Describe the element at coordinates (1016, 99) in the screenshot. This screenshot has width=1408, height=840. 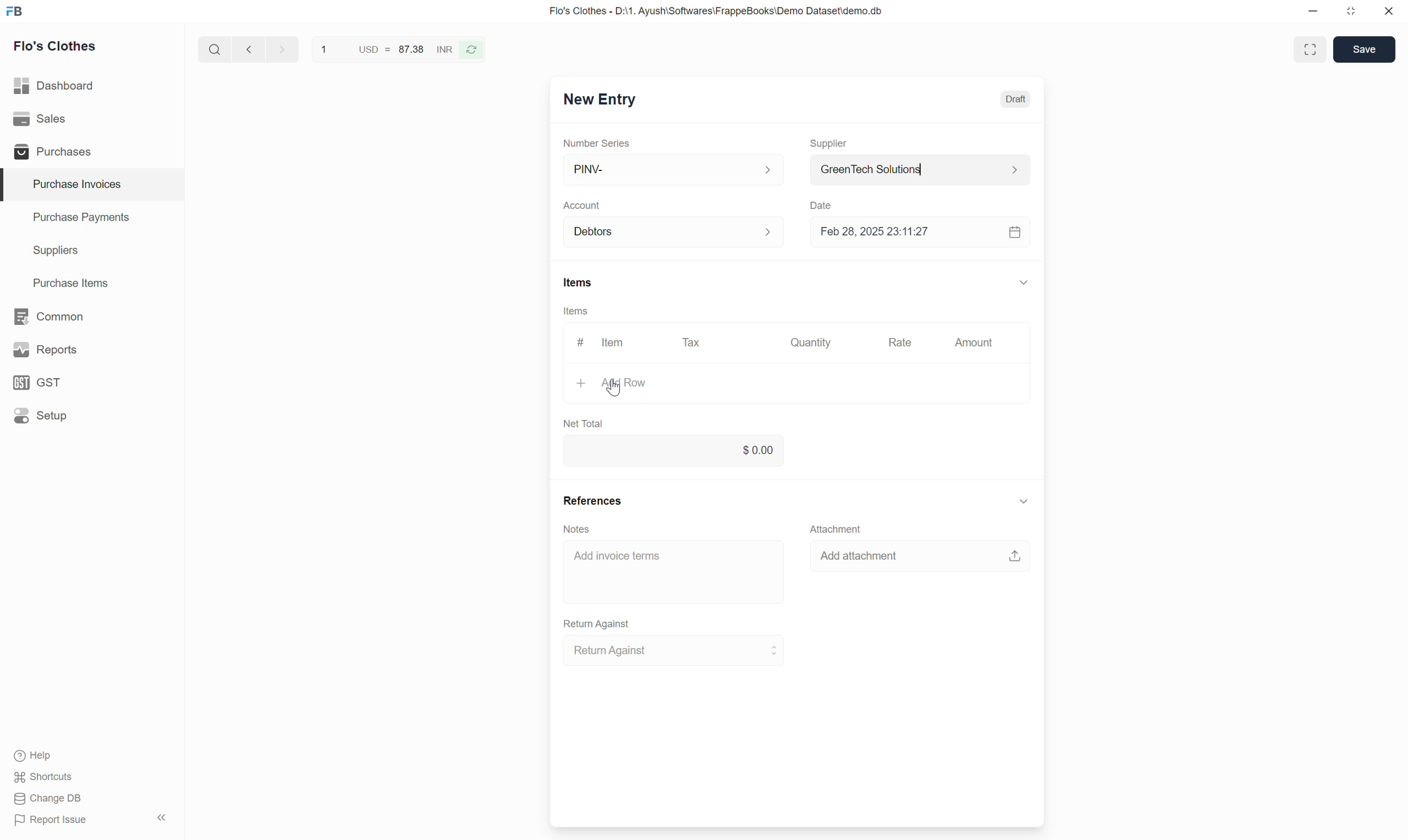
I see `Draft` at that location.